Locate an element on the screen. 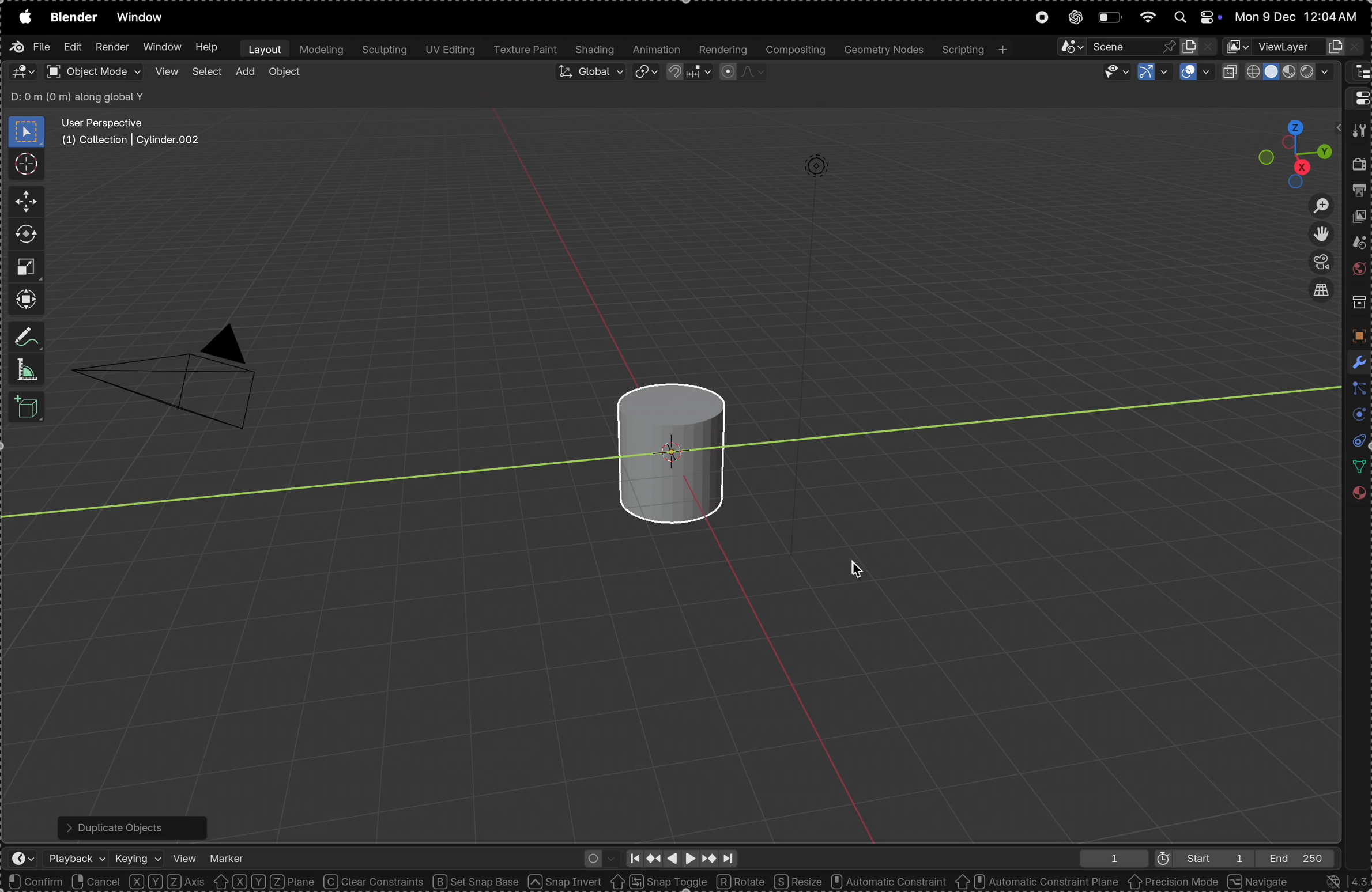 This screenshot has width=1372, height=892. vector layer is located at coordinates (1294, 47).